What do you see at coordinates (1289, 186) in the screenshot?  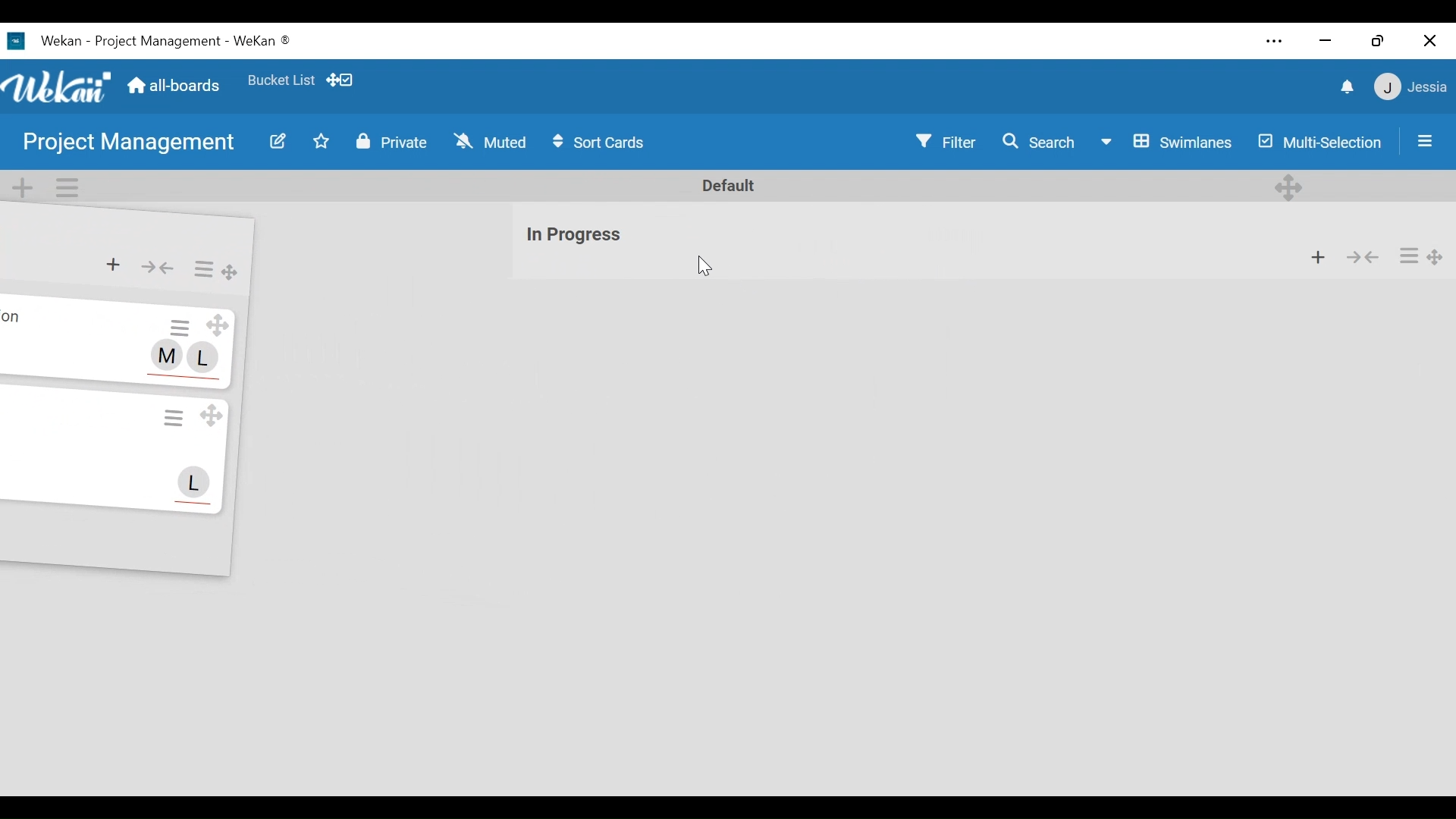 I see `Desktop drag handles` at bounding box center [1289, 186].